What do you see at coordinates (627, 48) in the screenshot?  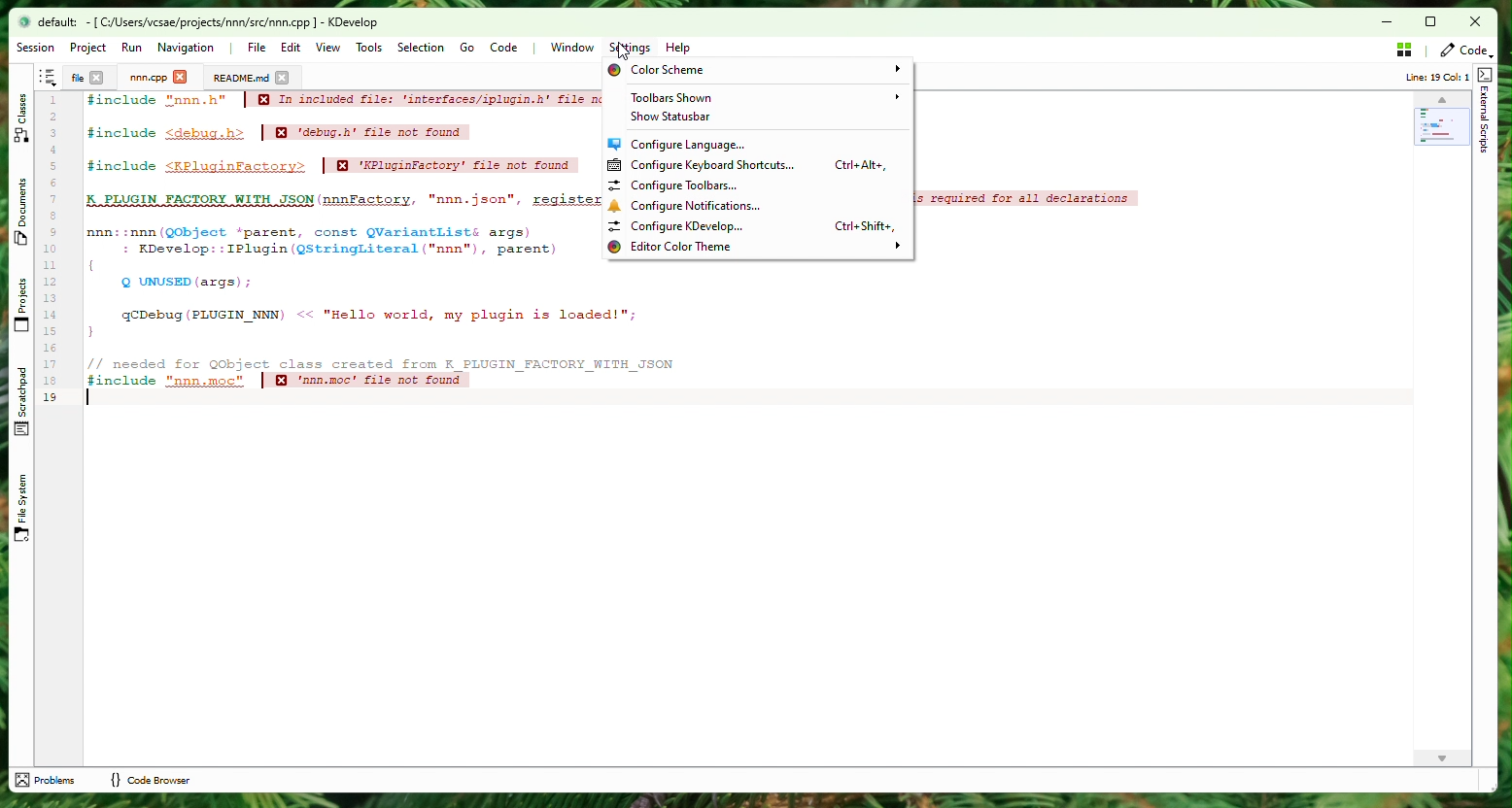 I see `cursor` at bounding box center [627, 48].